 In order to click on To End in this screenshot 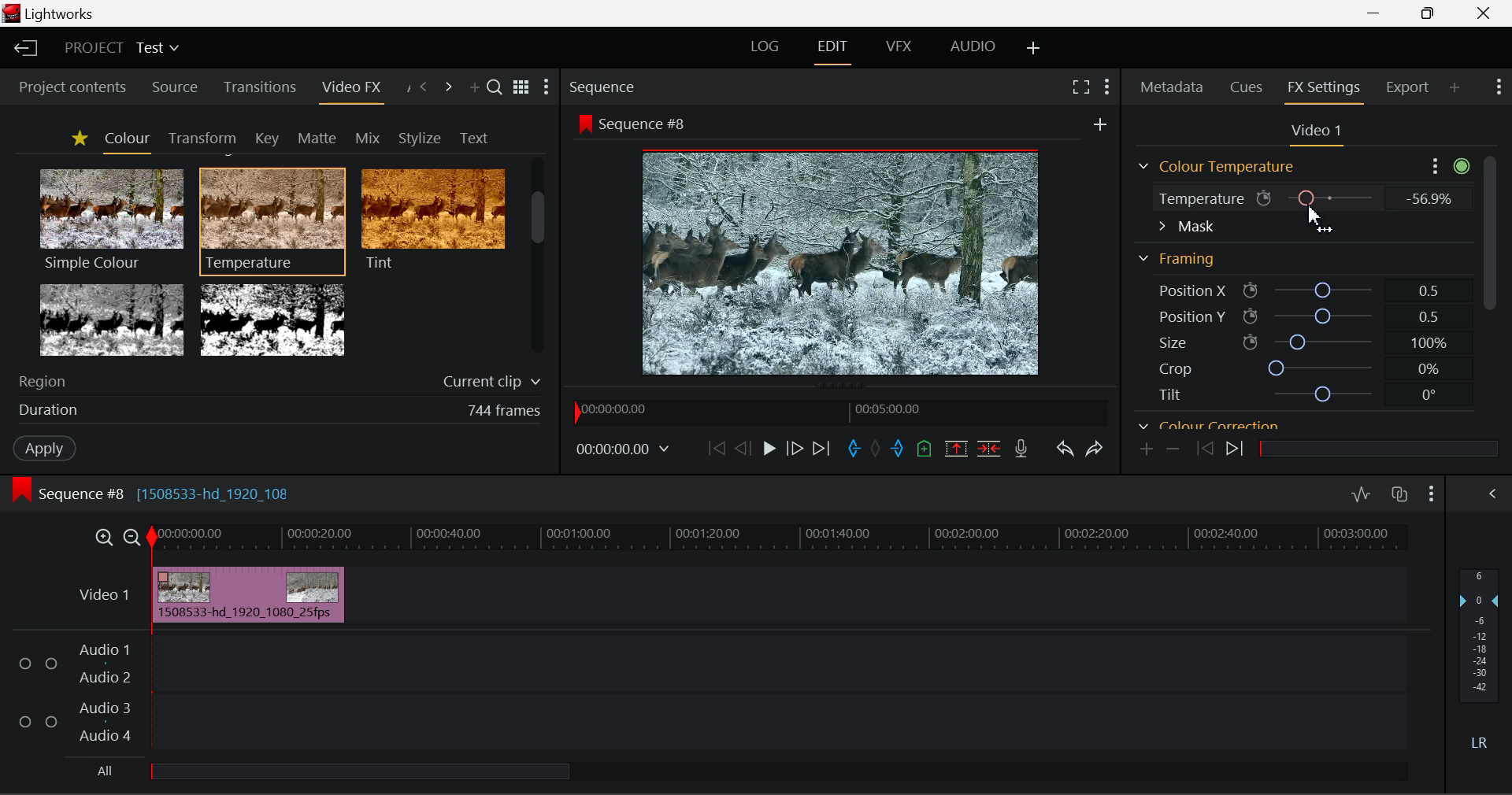, I will do `click(825, 449)`.